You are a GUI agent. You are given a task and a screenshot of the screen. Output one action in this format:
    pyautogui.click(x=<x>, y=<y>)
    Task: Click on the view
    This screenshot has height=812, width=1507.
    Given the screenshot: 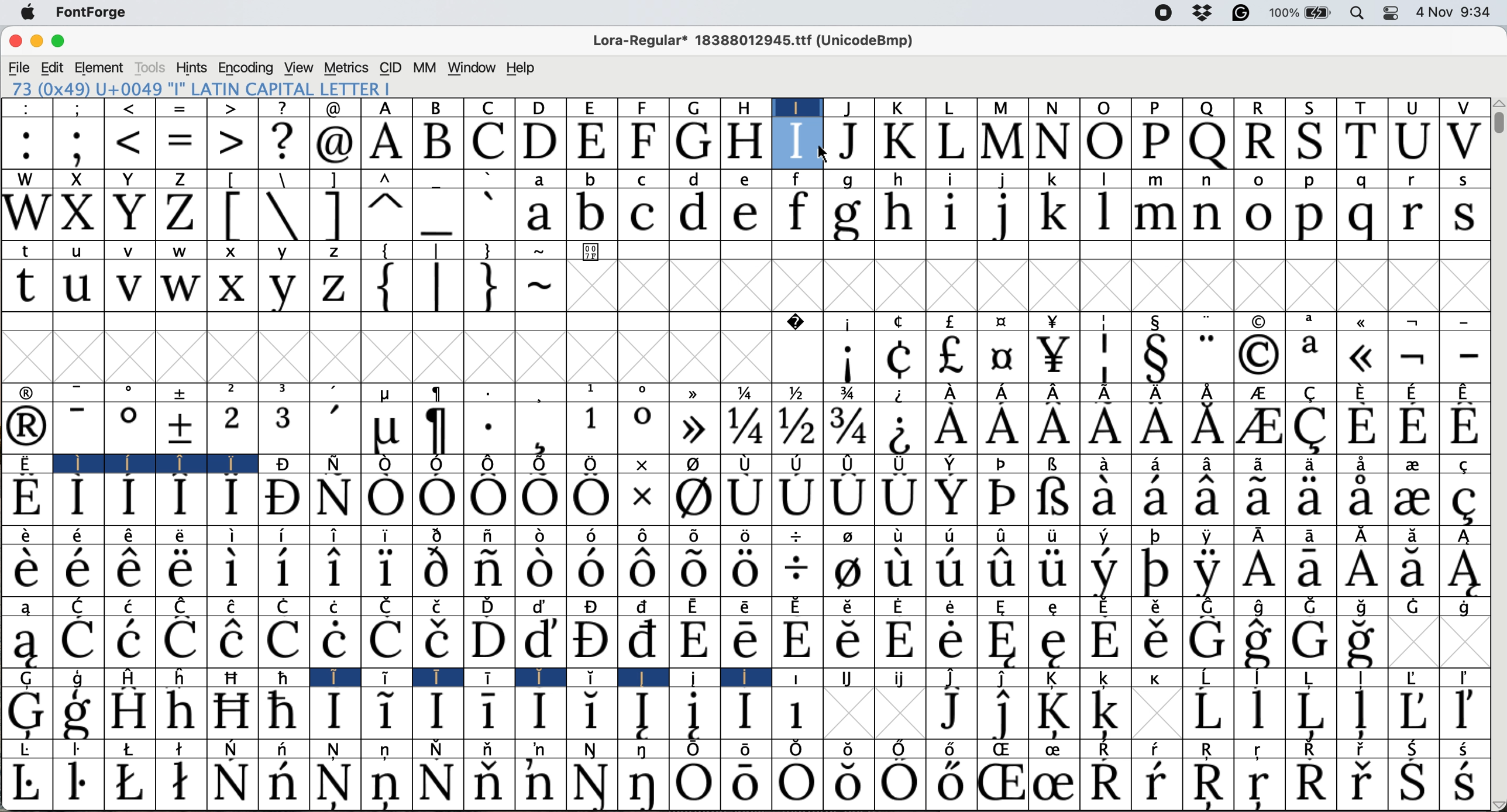 What is the action you would take?
    pyautogui.click(x=300, y=67)
    